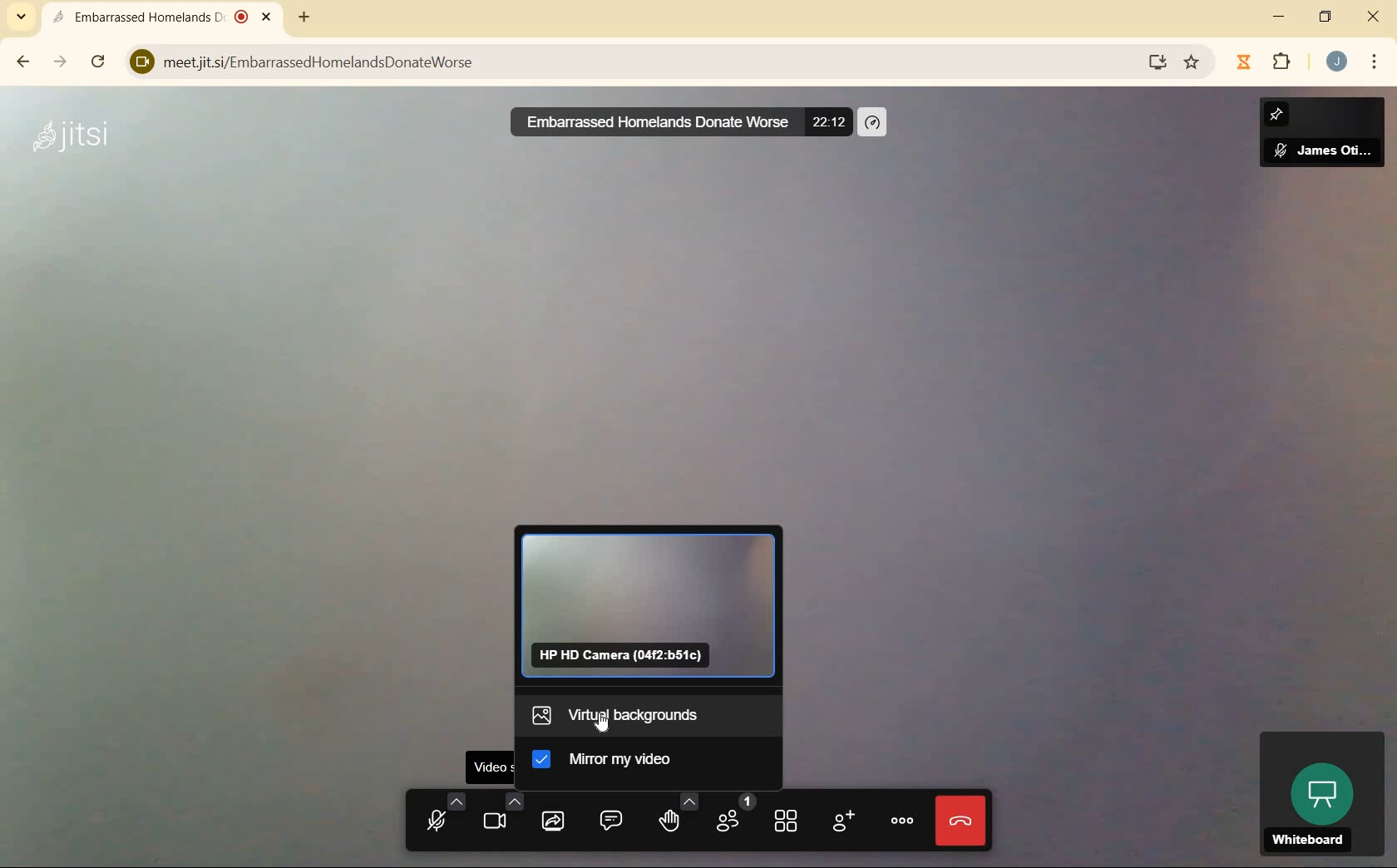 Image resolution: width=1397 pixels, height=868 pixels. I want to click on new tab, so click(305, 16).